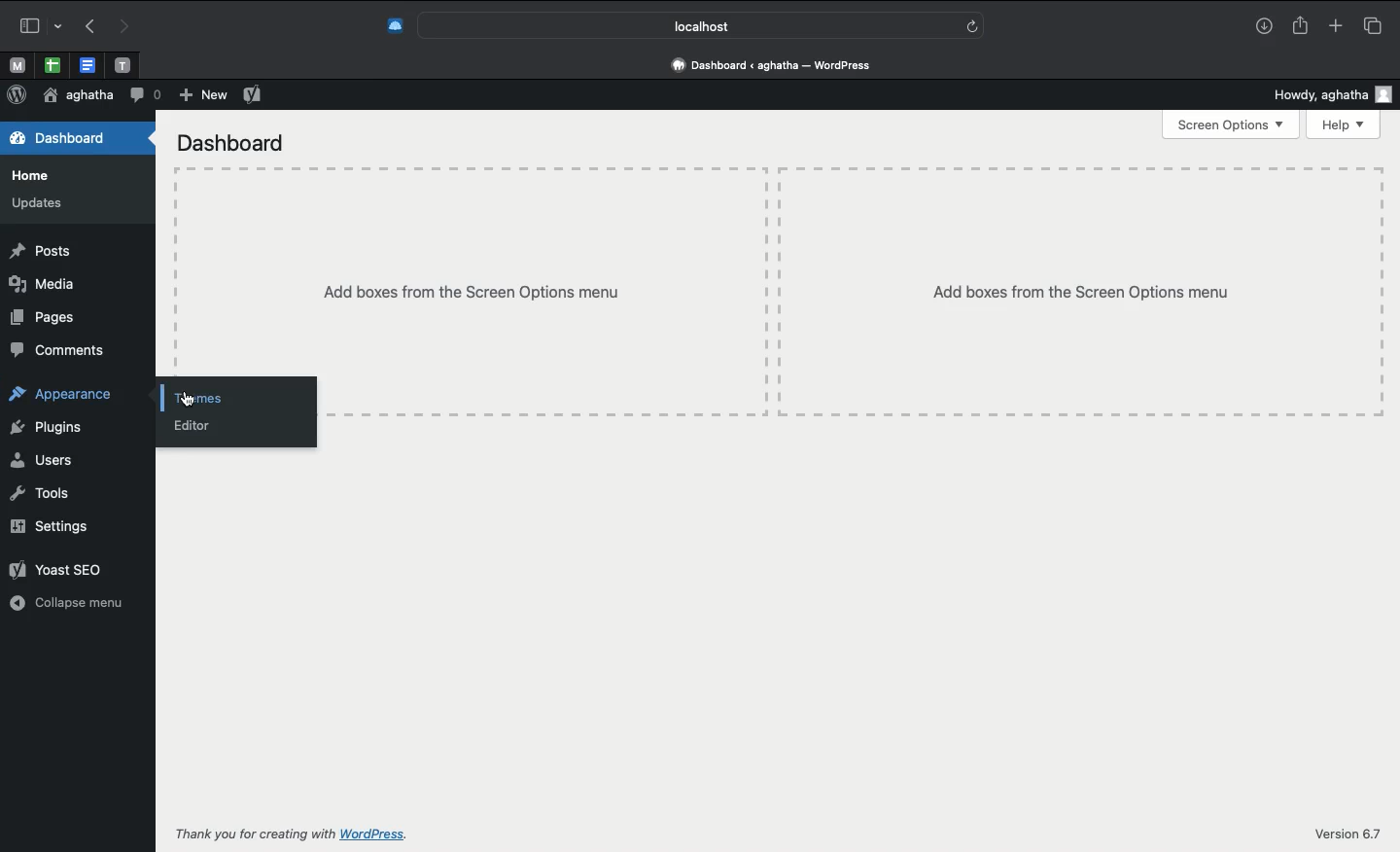 This screenshot has height=852, width=1400. I want to click on open tab, so click(122, 66).